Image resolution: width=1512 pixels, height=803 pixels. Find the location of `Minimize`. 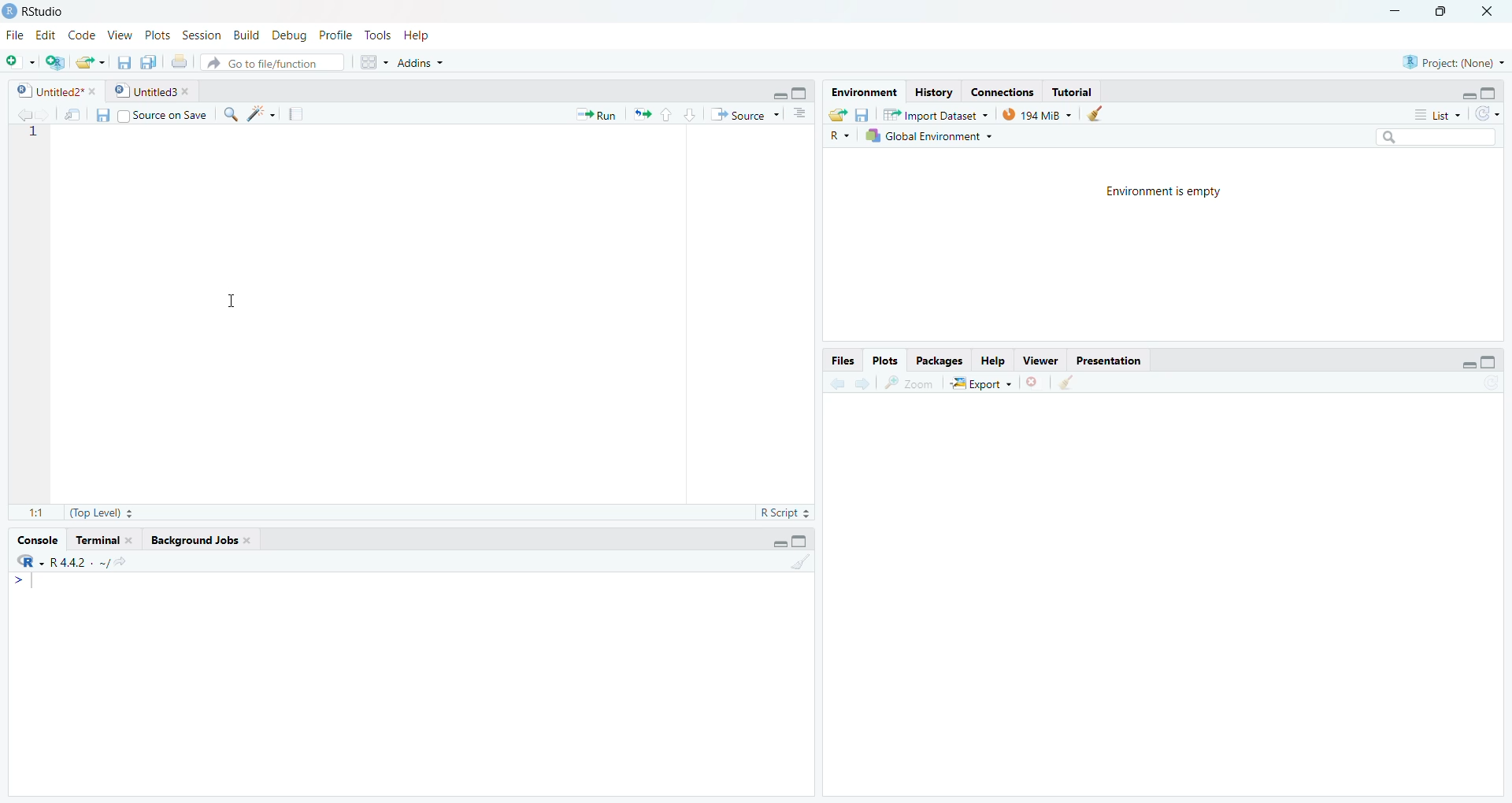

Minimize is located at coordinates (1468, 95).